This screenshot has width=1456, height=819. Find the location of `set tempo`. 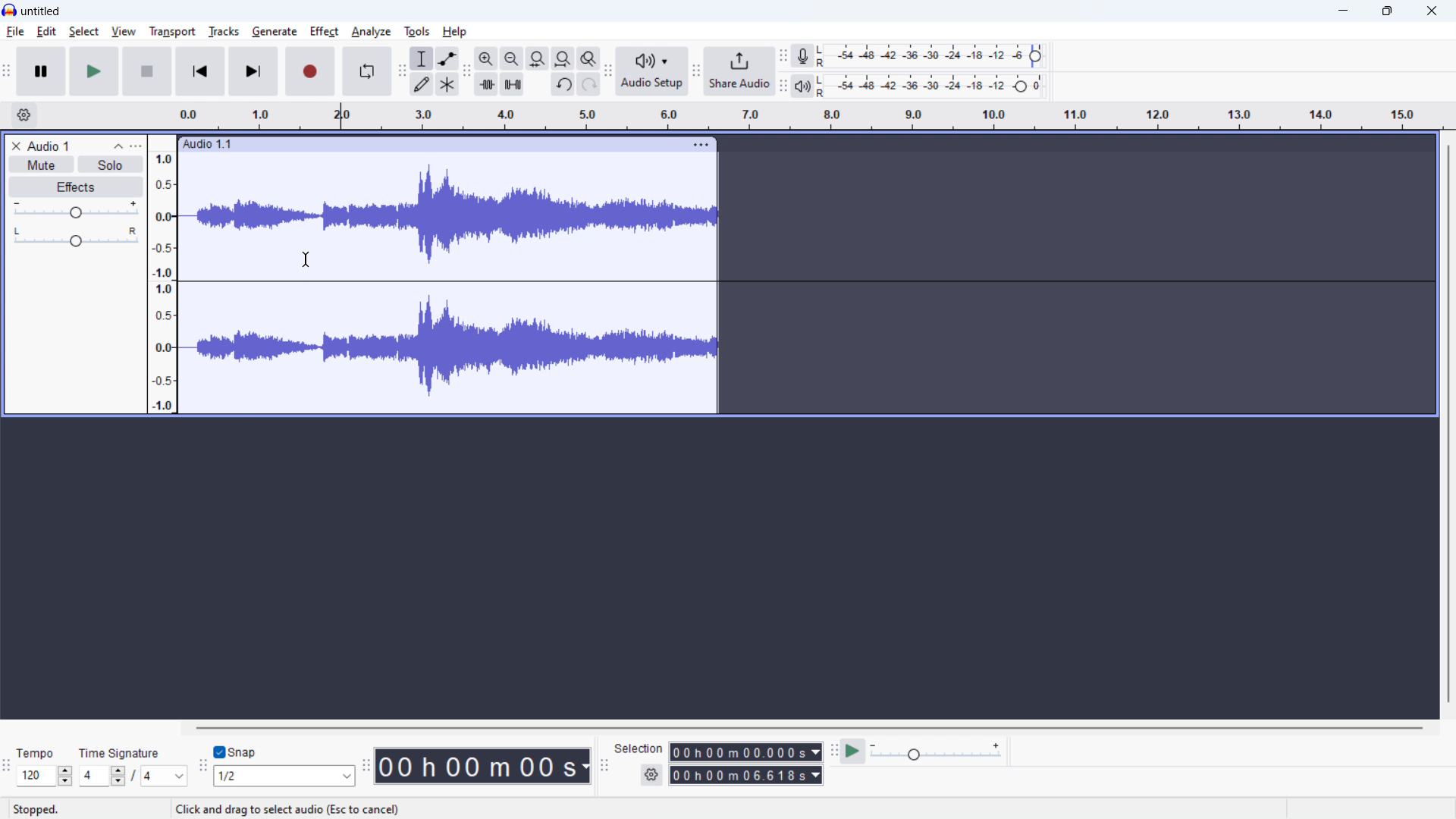

set tempo is located at coordinates (44, 777).